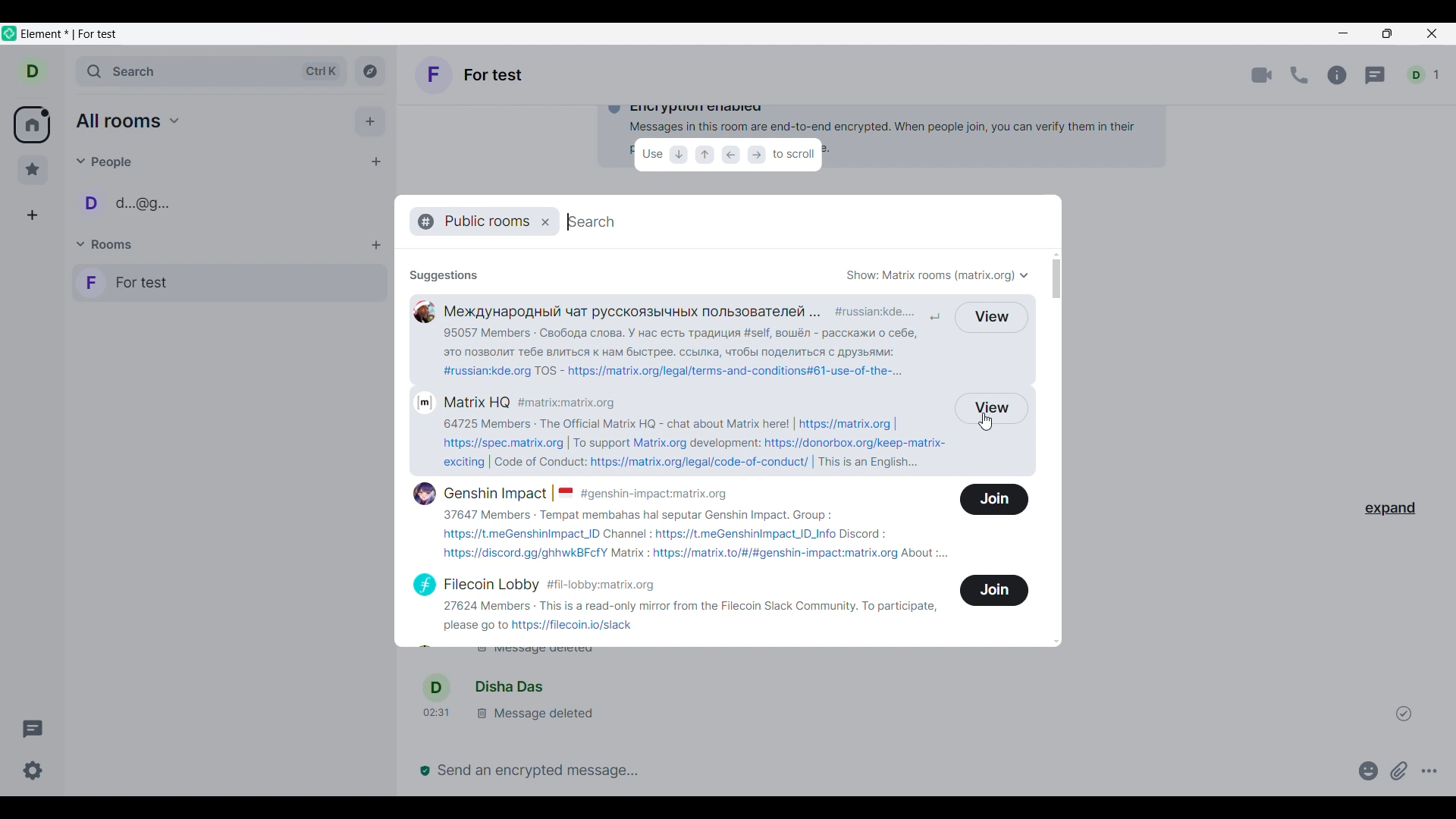 This screenshot has width=1456, height=819. What do you see at coordinates (443, 272) in the screenshot?
I see `Suggestions` at bounding box center [443, 272].